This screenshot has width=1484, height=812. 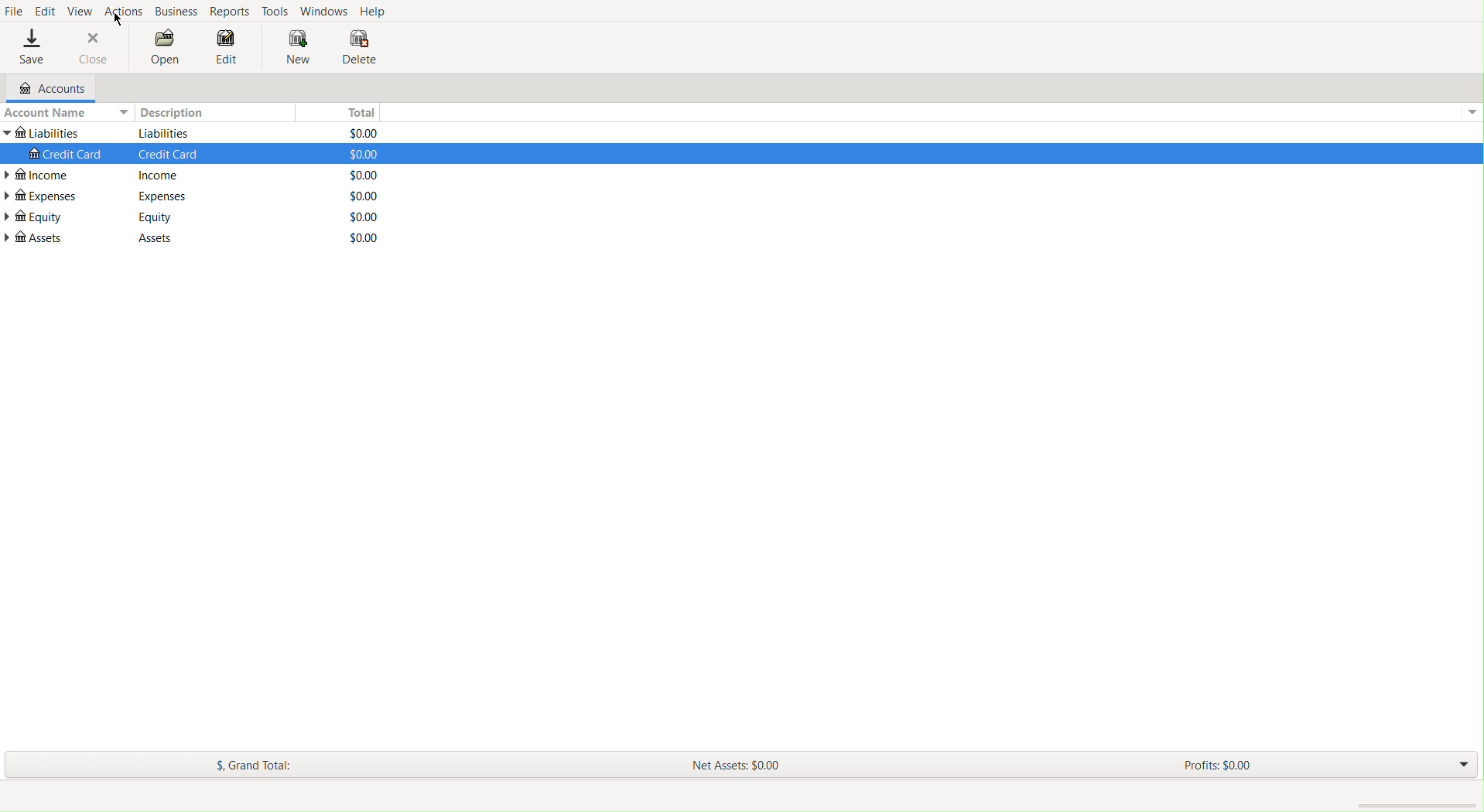 I want to click on Accounts, so click(x=46, y=89).